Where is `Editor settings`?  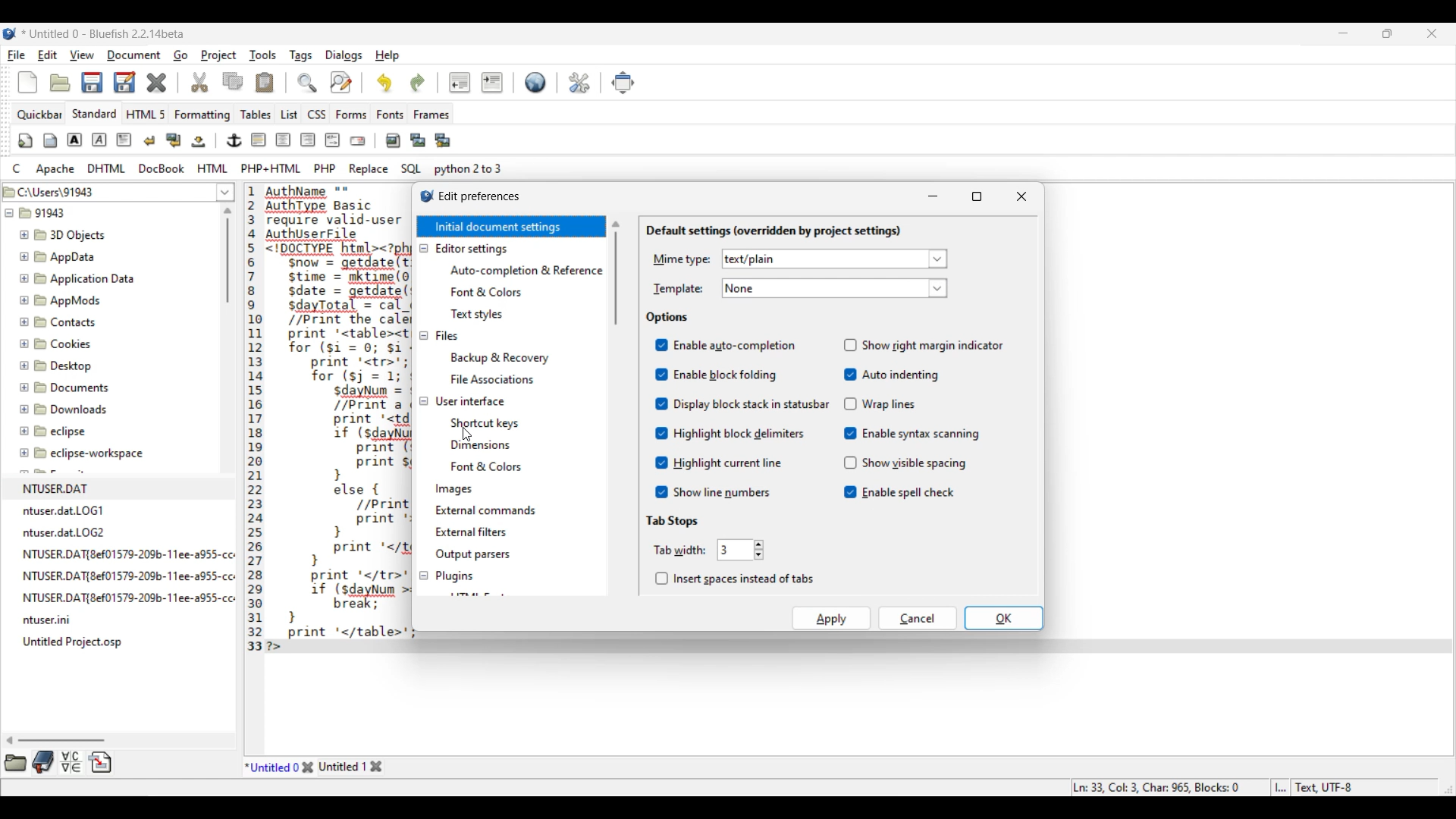
Editor settings is located at coordinates (471, 249).